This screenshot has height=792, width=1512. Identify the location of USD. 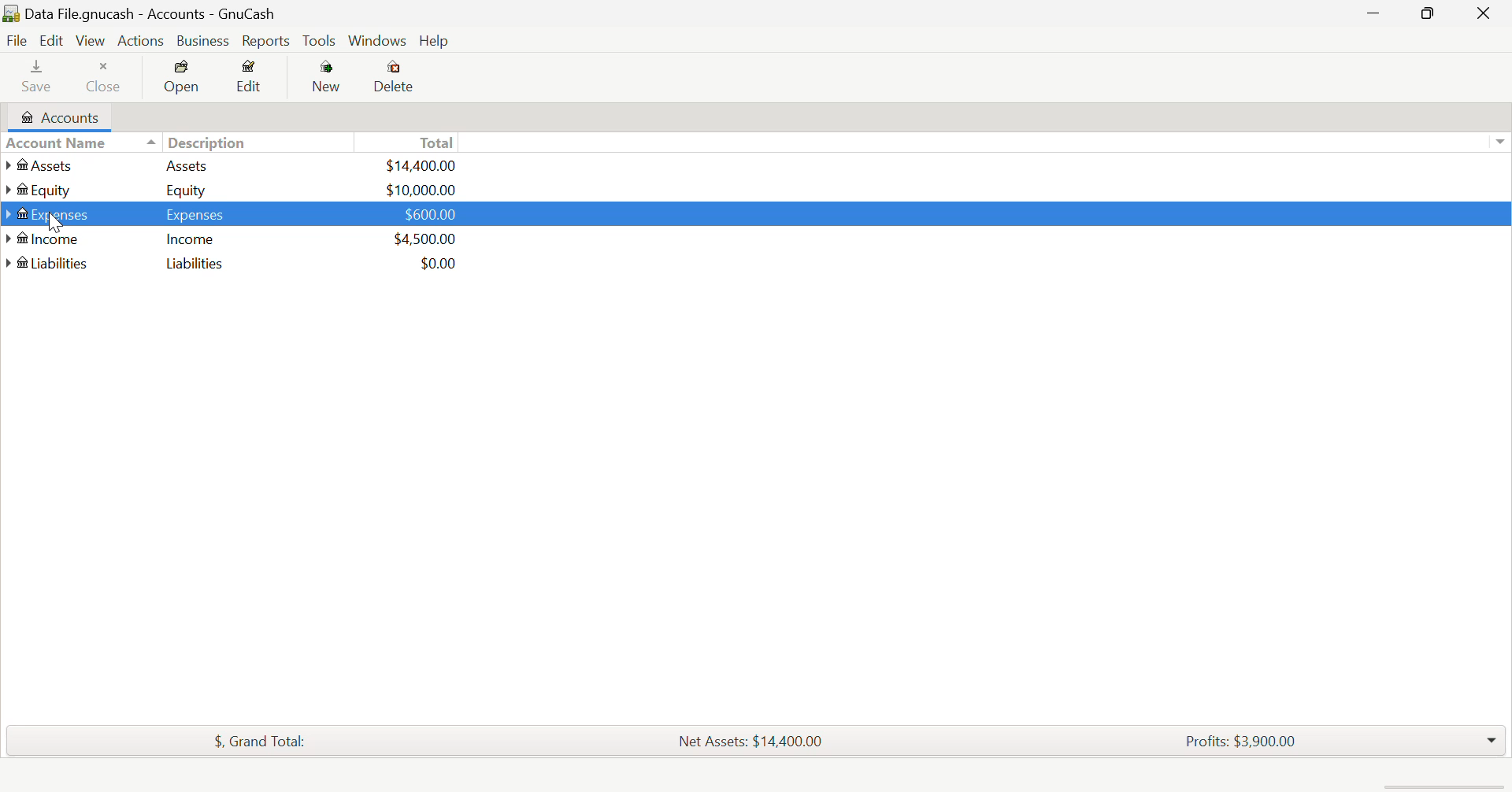
(430, 213).